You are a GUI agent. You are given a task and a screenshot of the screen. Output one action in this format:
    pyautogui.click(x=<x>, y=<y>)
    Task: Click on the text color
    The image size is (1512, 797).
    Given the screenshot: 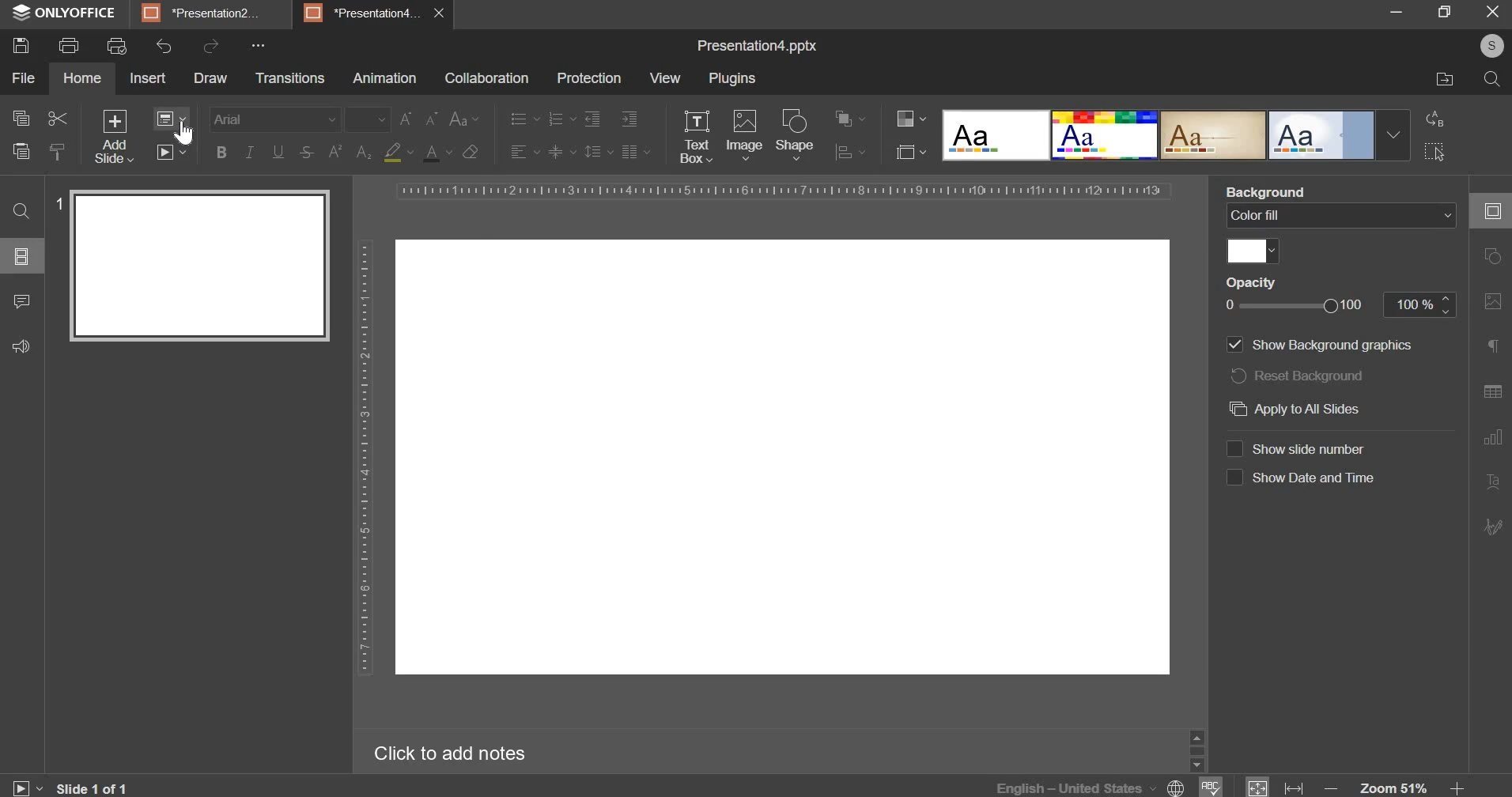 What is the action you would take?
    pyautogui.click(x=437, y=153)
    